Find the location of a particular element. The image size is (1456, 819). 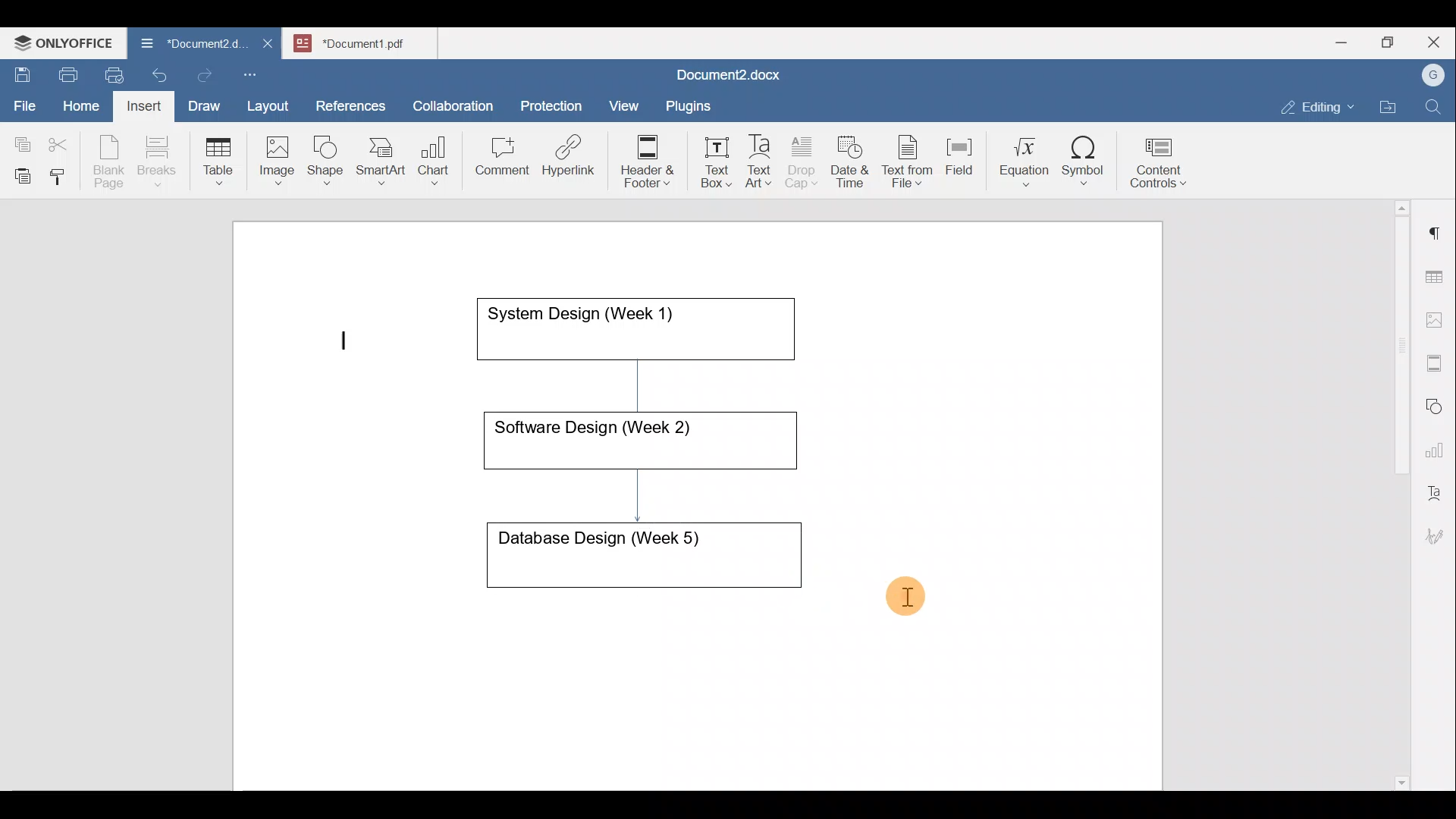

Maximize is located at coordinates (1392, 42).